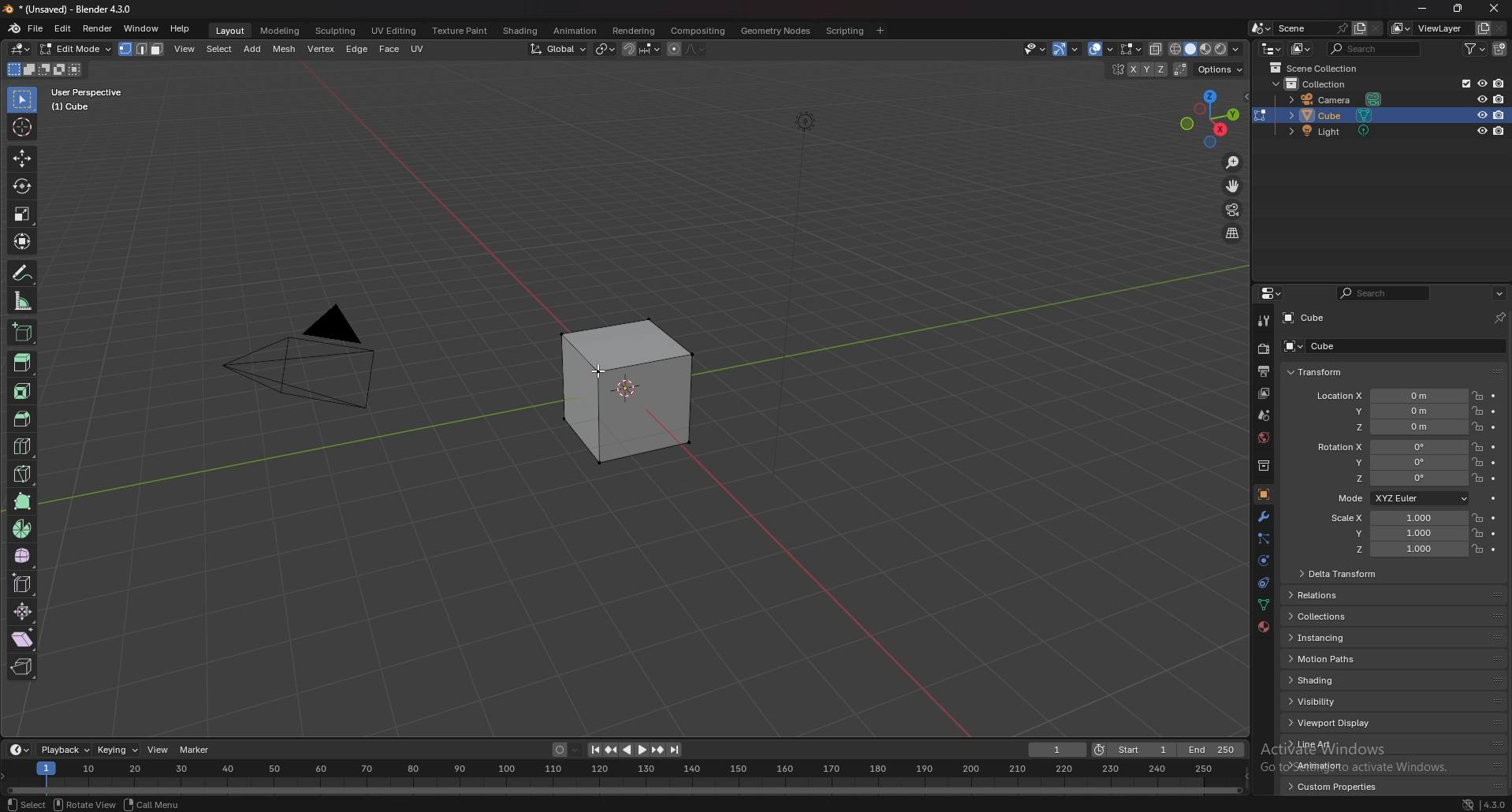 Image resolution: width=1512 pixels, height=812 pixels. Describe the element at coordinates (1499, 317) in the screenshot. I see `toggle pin id` at that location.